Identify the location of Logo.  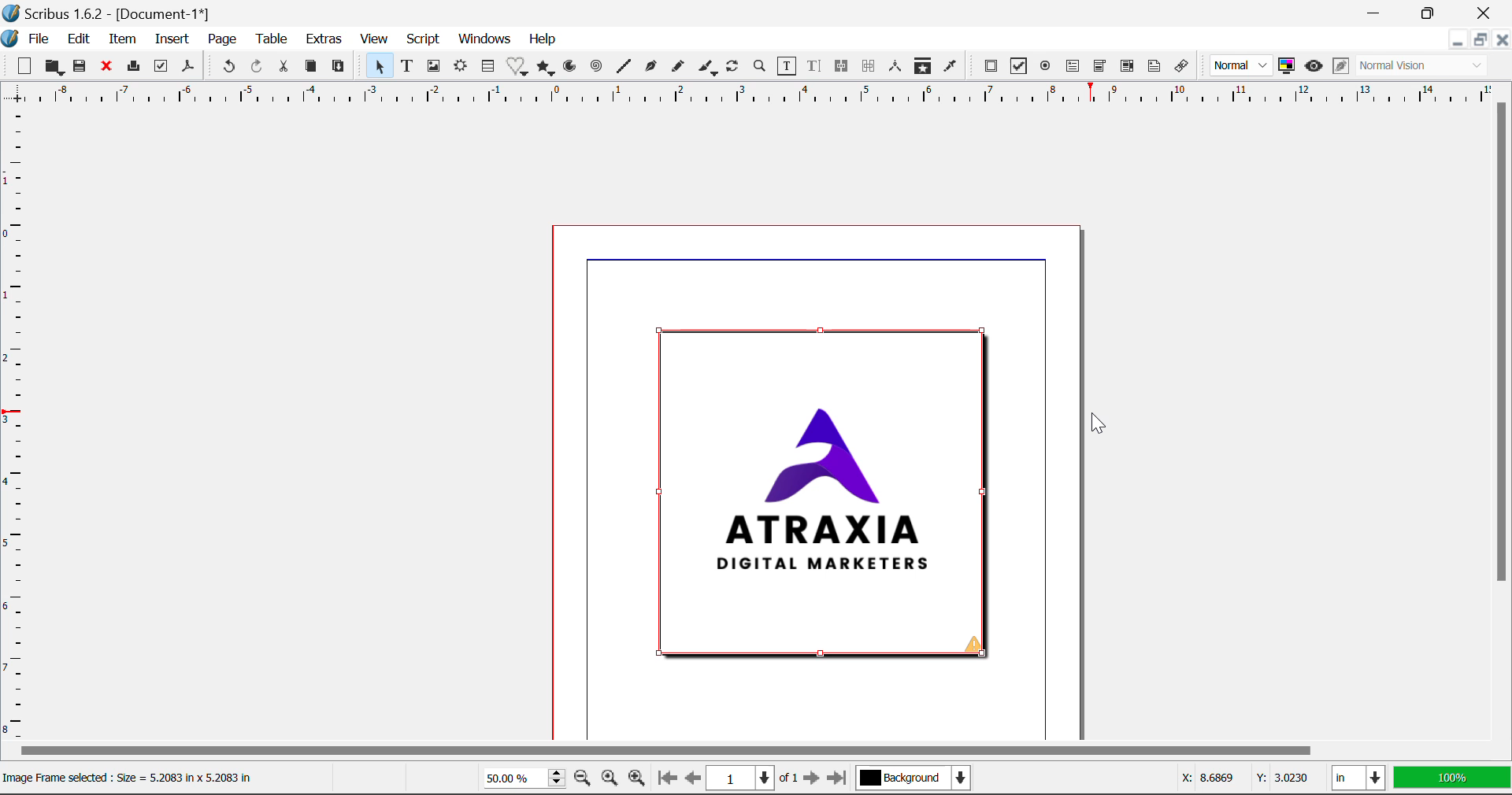
(11, 38).